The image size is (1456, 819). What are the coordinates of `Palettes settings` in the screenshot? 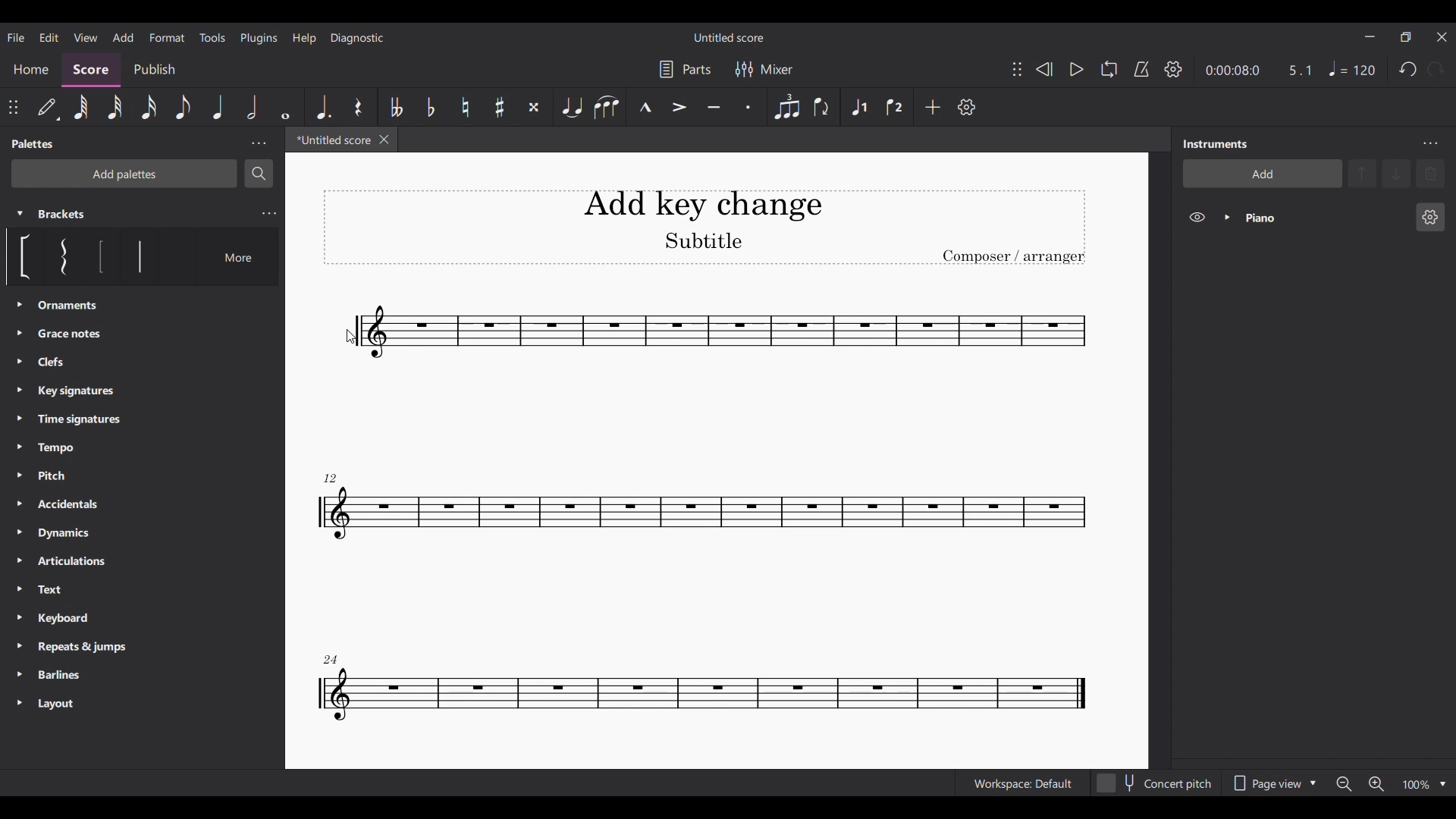 It's located at (259, 143).